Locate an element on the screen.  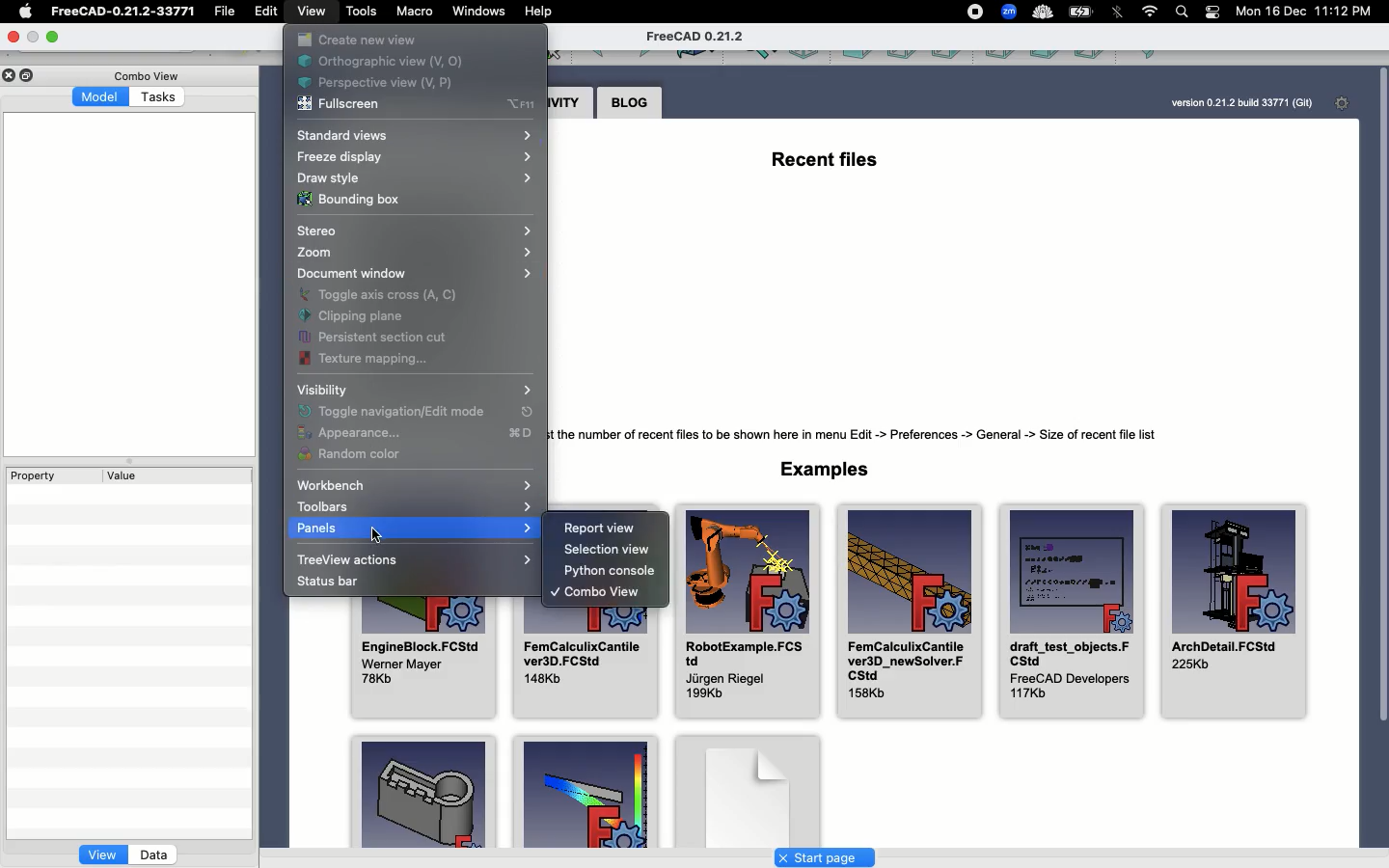
Tip: Adjust the number of recent files to be shown here in menu Edit -> Preferences -> General -> Size of recent file list is located at coordinates (872, 432).